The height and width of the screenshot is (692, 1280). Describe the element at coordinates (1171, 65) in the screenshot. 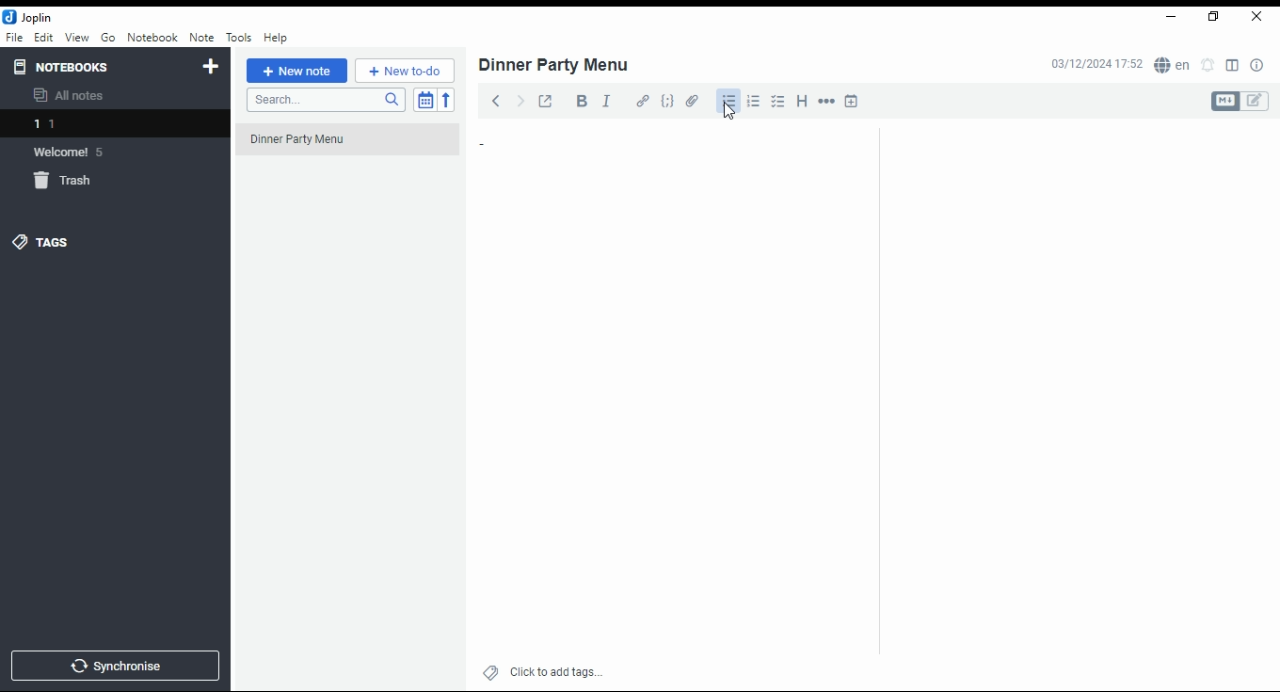

I see `Language` at that location.